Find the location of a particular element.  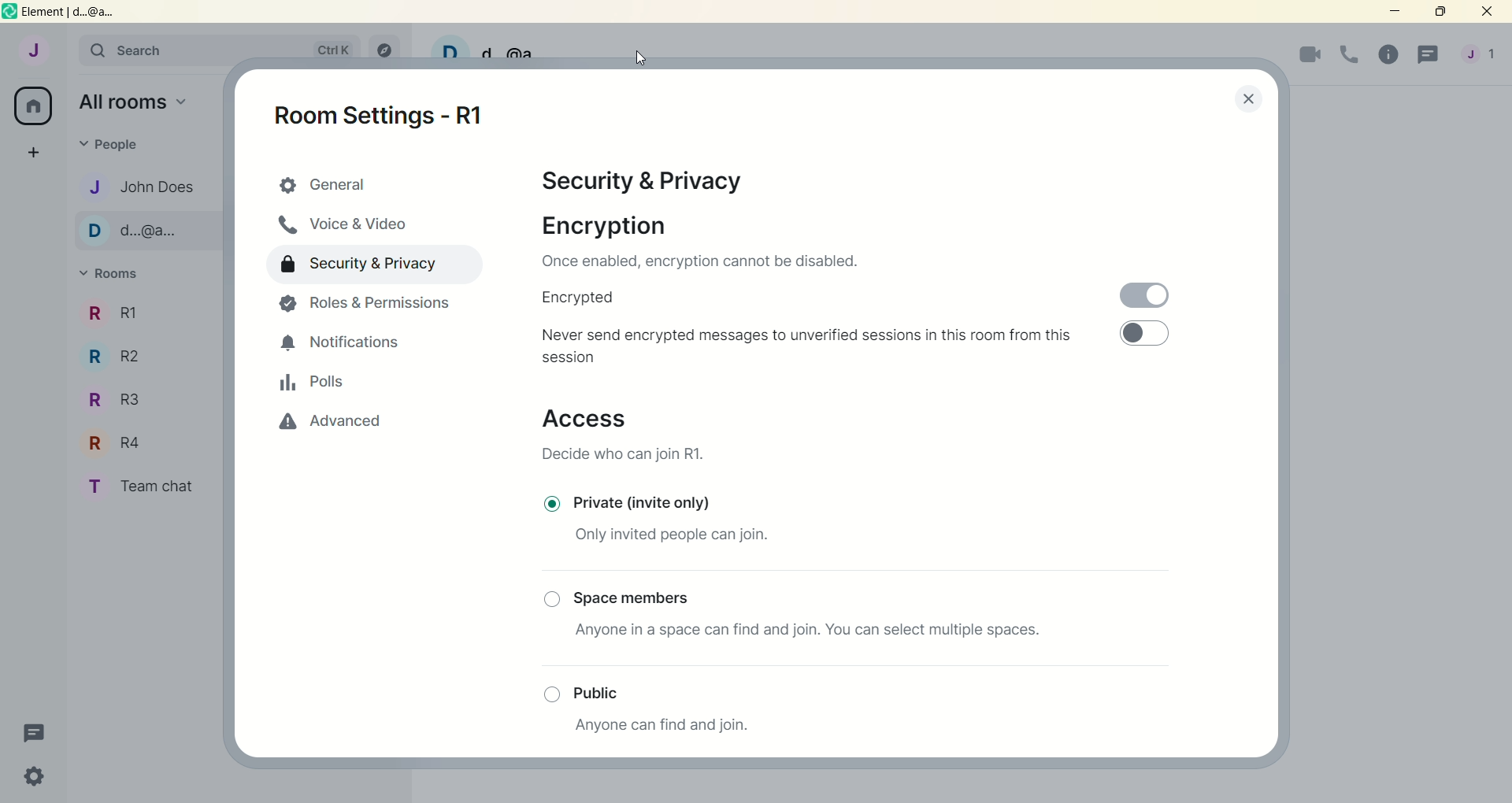

public is located at coordinates (609, 690).